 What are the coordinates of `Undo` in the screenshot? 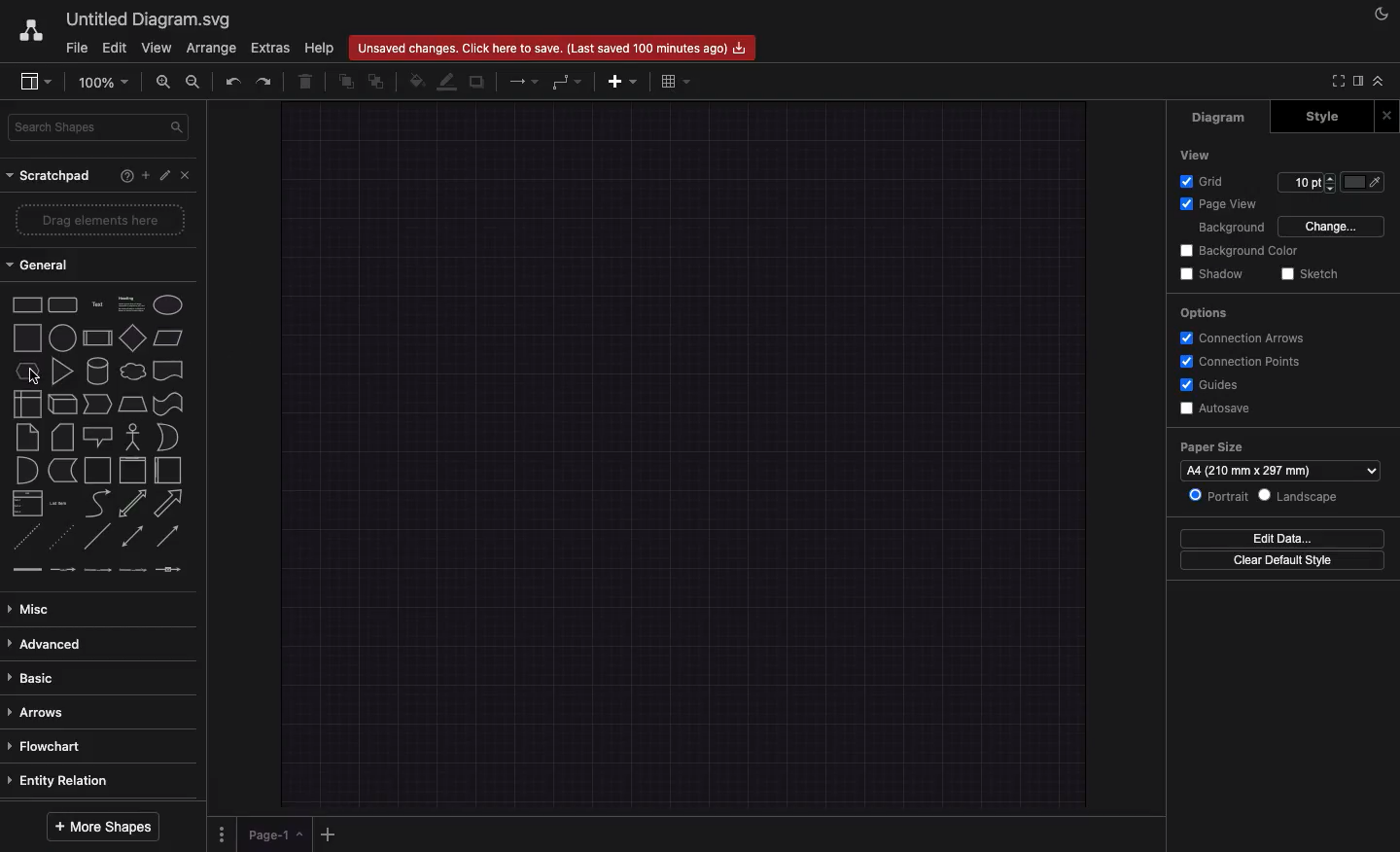 It's located at (228, 82).